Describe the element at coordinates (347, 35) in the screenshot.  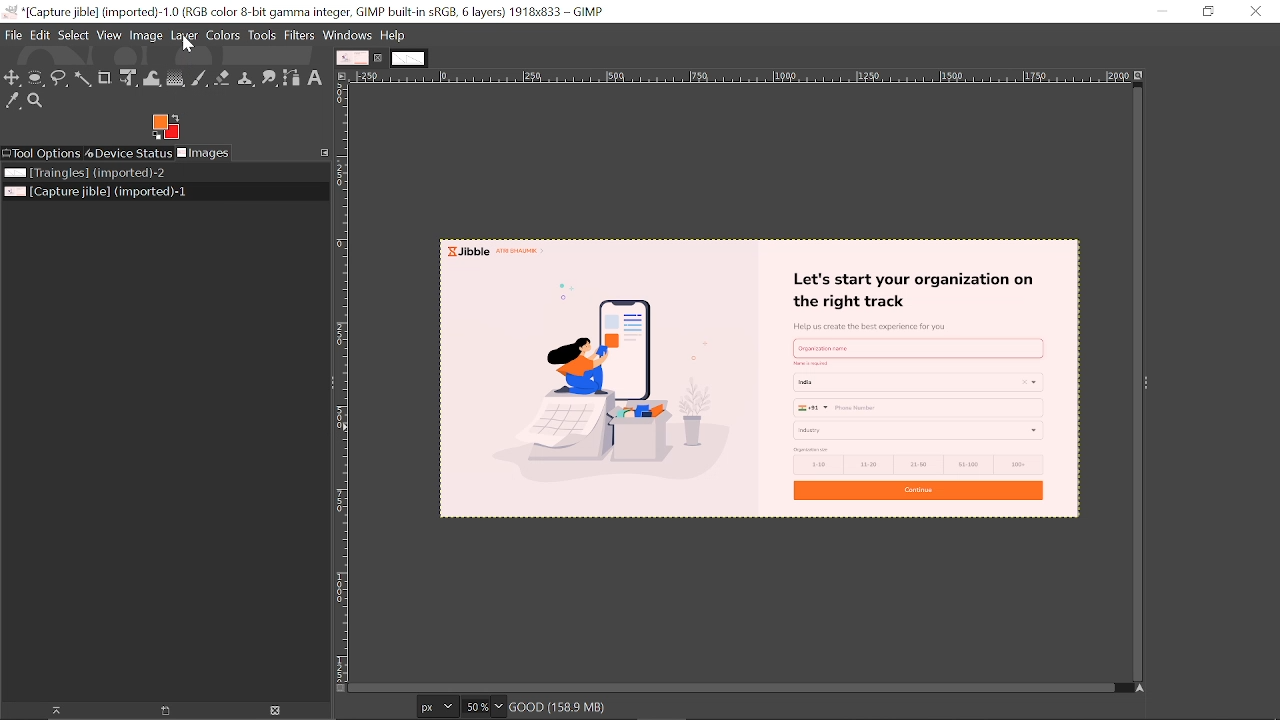
I see `windows` at that location.